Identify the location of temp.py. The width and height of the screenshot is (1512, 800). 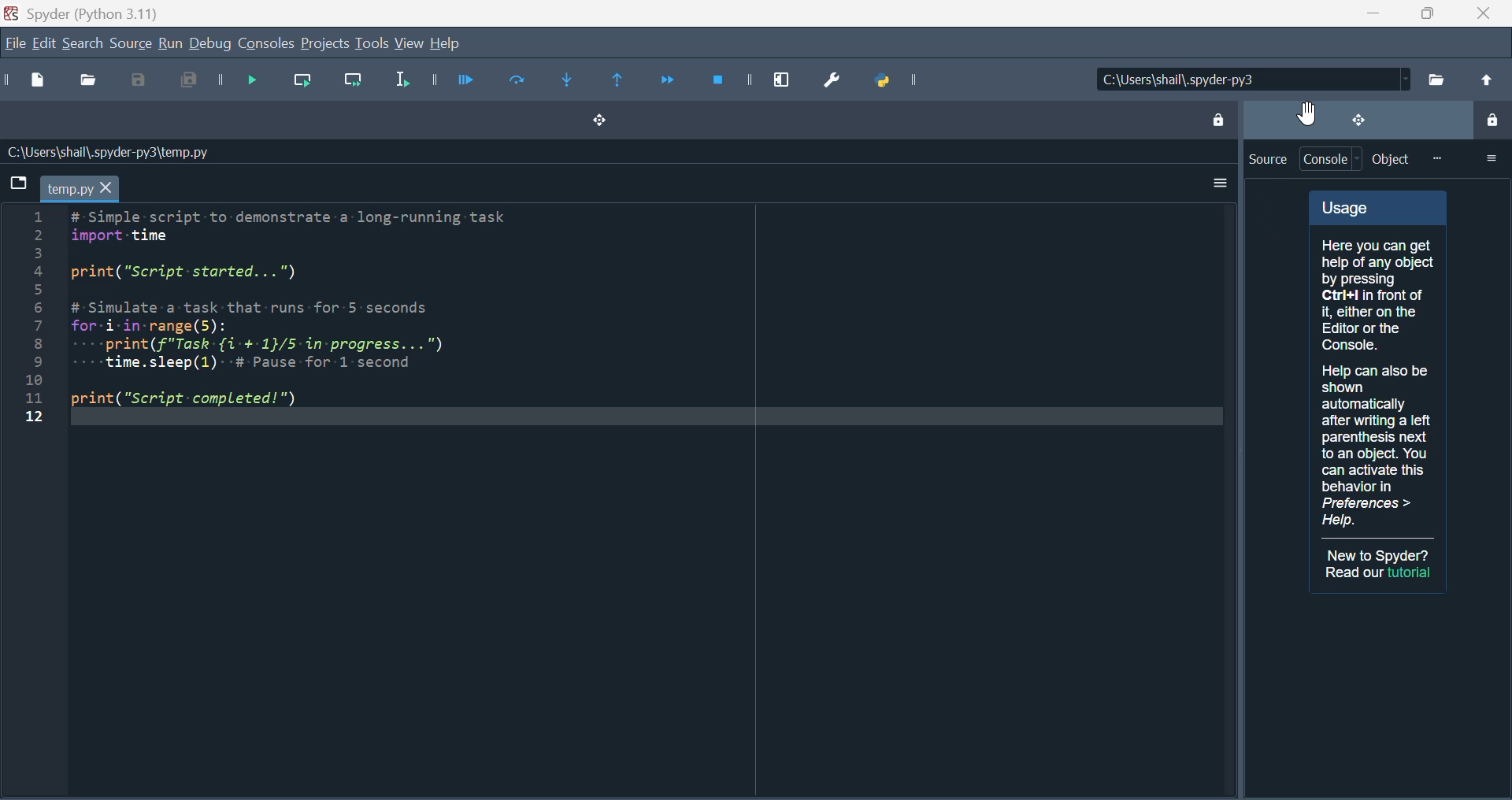
(80, 188).